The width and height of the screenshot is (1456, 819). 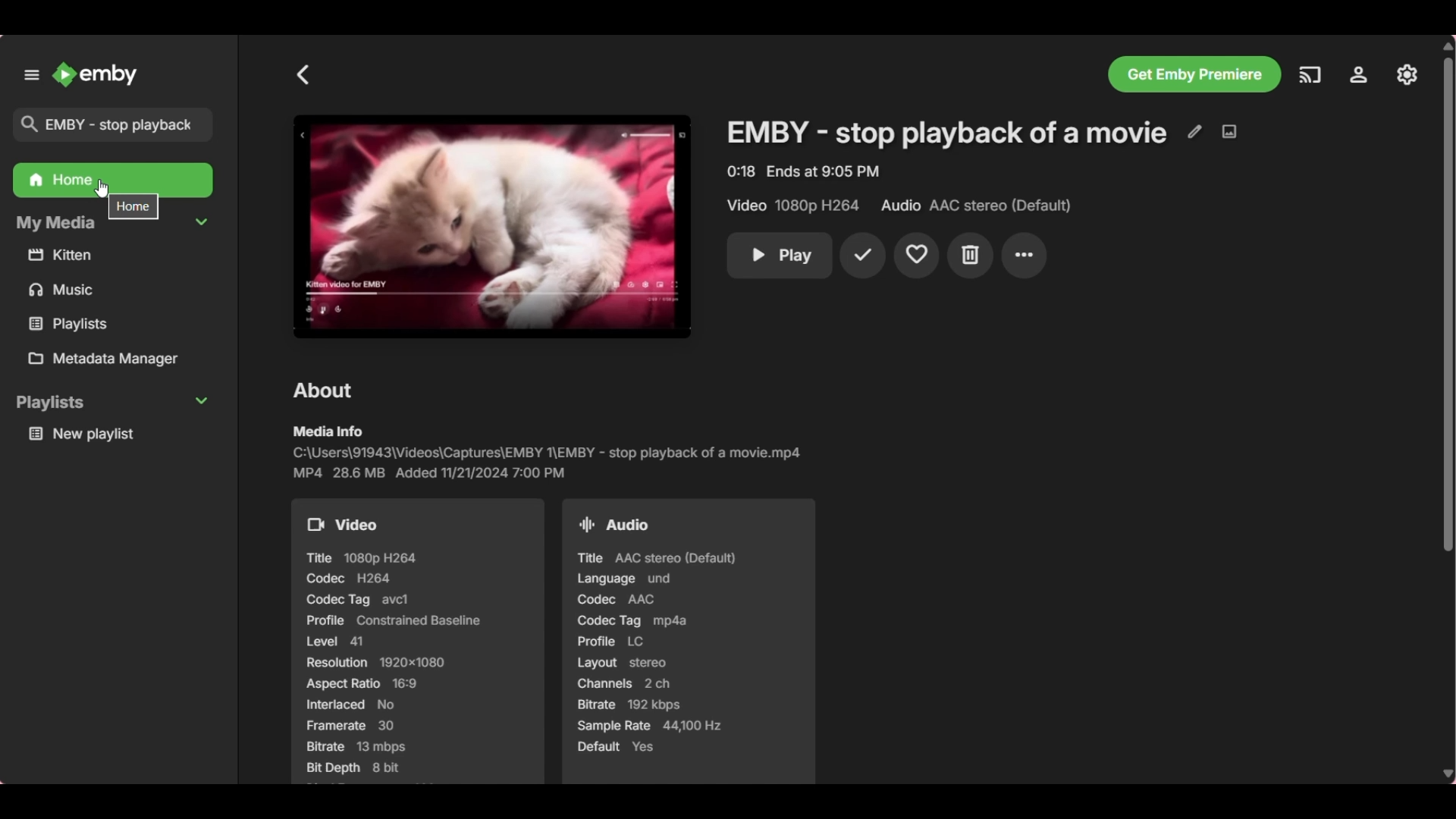 What do you see at coordinates (392, 661) in the screenshot?
I see `Title 1080p H264
Codec H264

Codec Tag avcl
Profile Constrained Baseline
Level 41

Resolution 1920x1080
Aspect Ratio 16:9
Interlaced No
Framerate 30
Bitrate 13 mbps

Bit Depth 8 bit` at bounding box center [392, 661].